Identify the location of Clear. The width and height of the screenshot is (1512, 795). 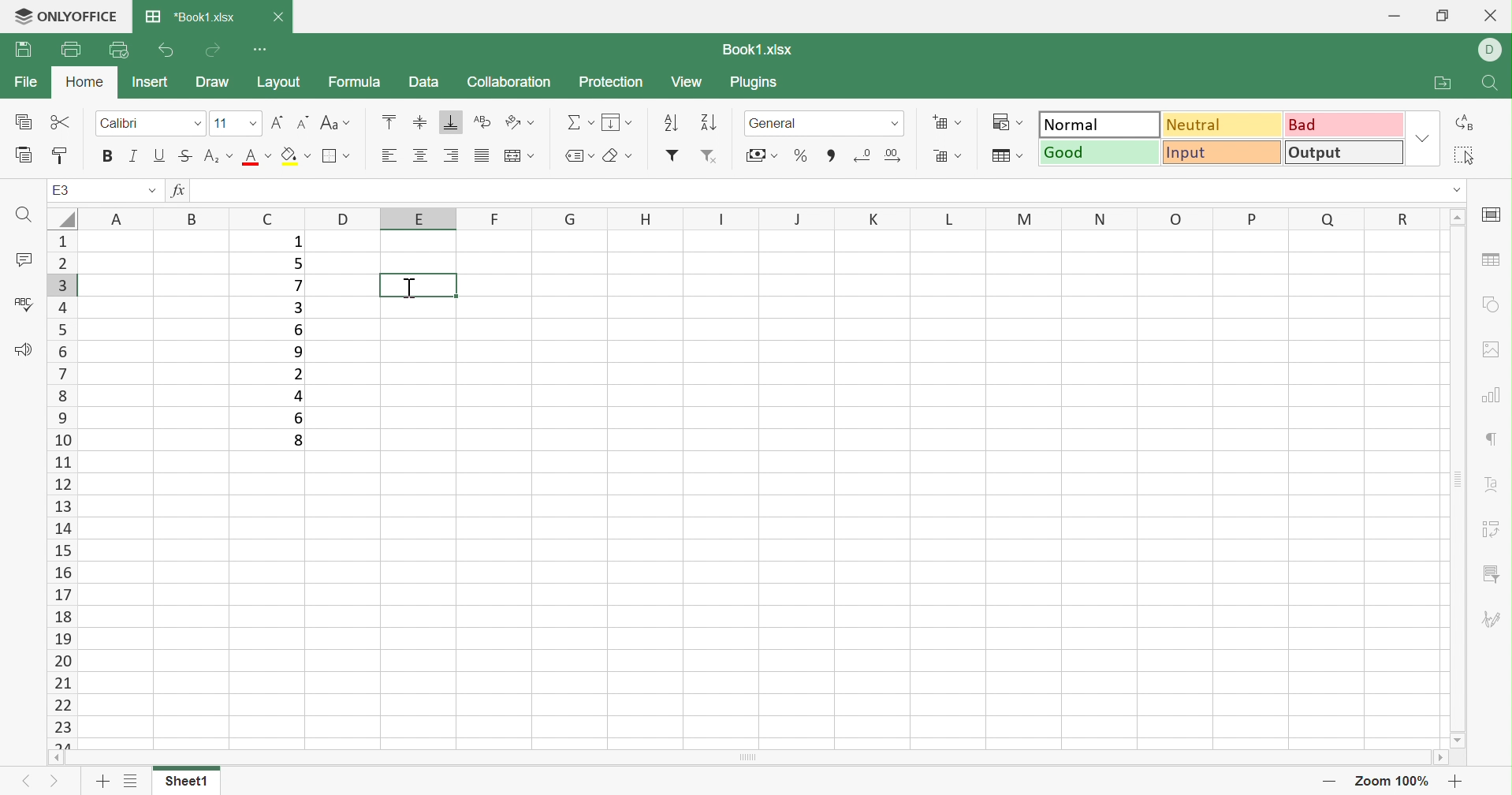
(615, 153).